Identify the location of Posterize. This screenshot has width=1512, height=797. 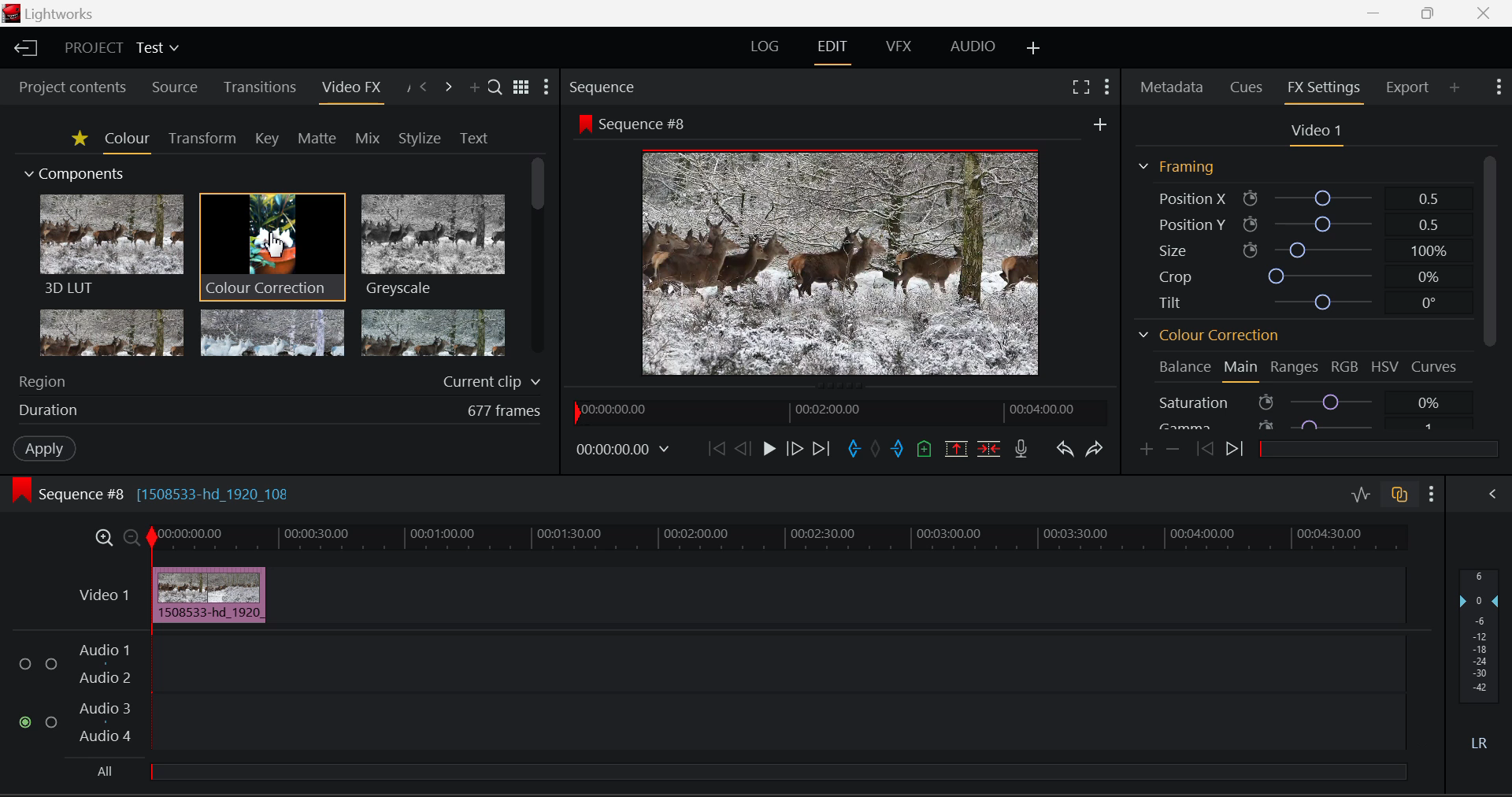
(431, 332).